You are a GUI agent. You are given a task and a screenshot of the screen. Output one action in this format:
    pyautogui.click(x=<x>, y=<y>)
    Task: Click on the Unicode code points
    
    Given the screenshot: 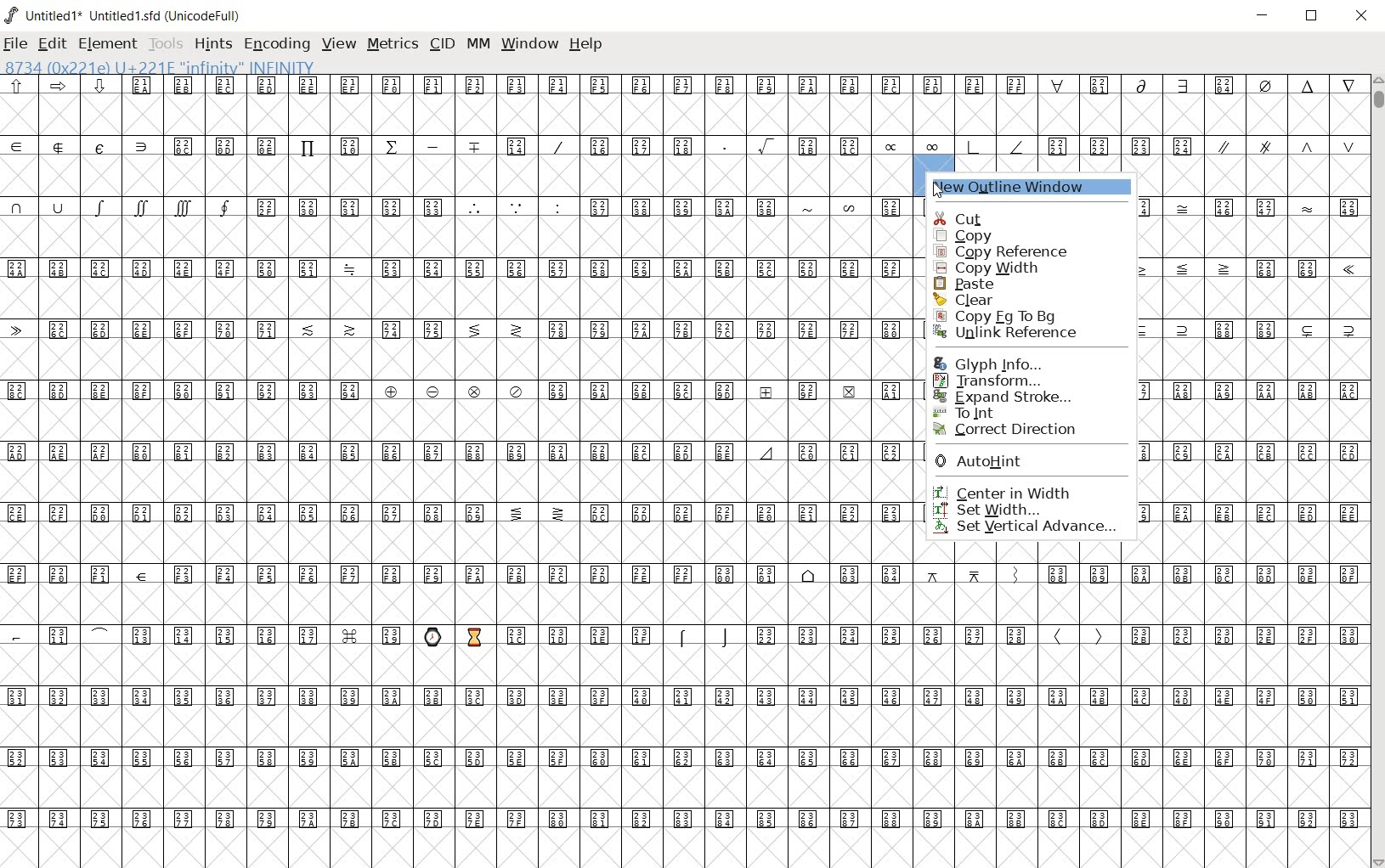 What is the action you would take?
    pyautogui.click(x=574, y=635)
    